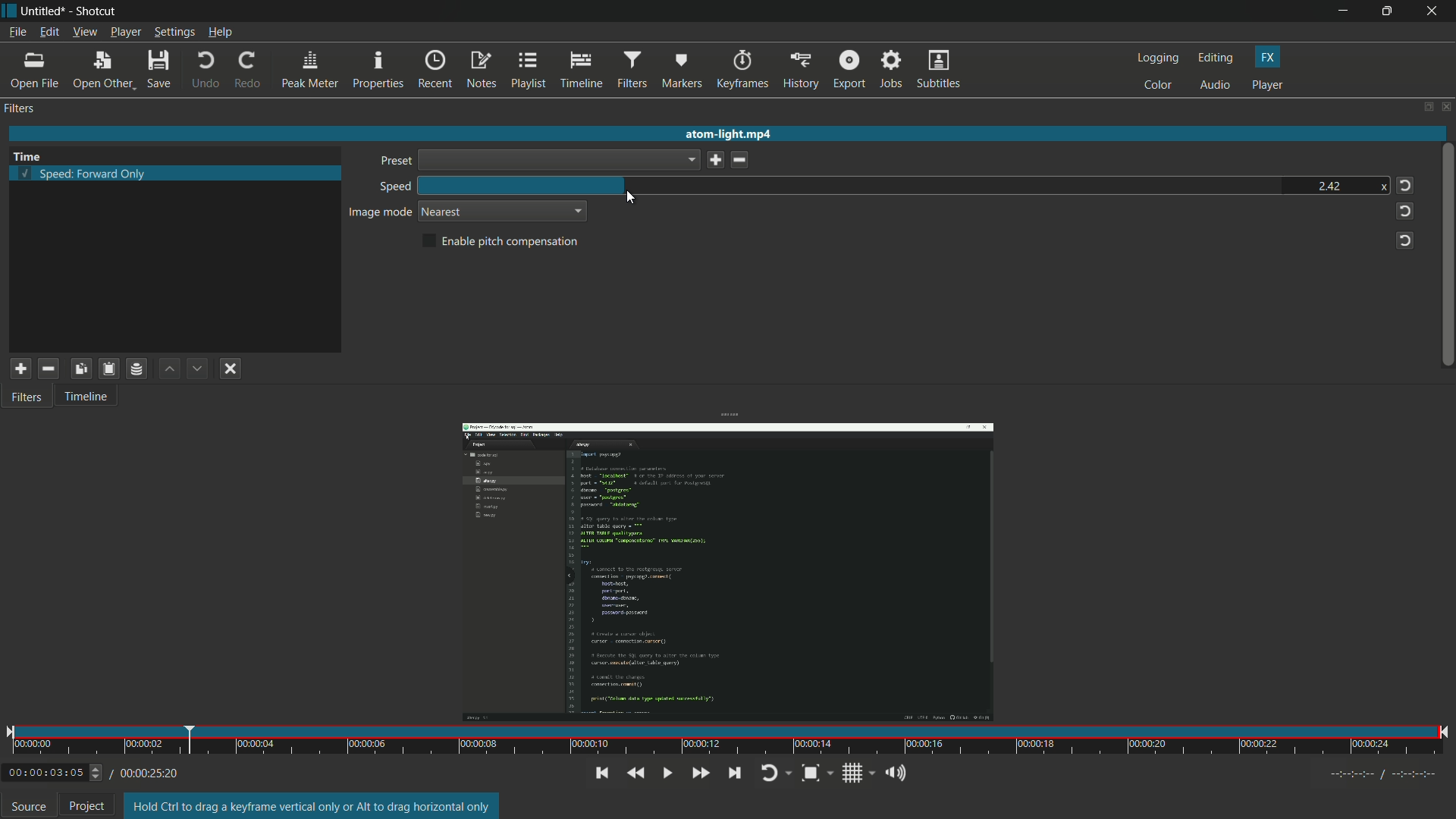 The width and height of the screenshot is (1456, 819). Describe the element at coordinates (530, 71) in the screenshot. I see `playlist` at that location.